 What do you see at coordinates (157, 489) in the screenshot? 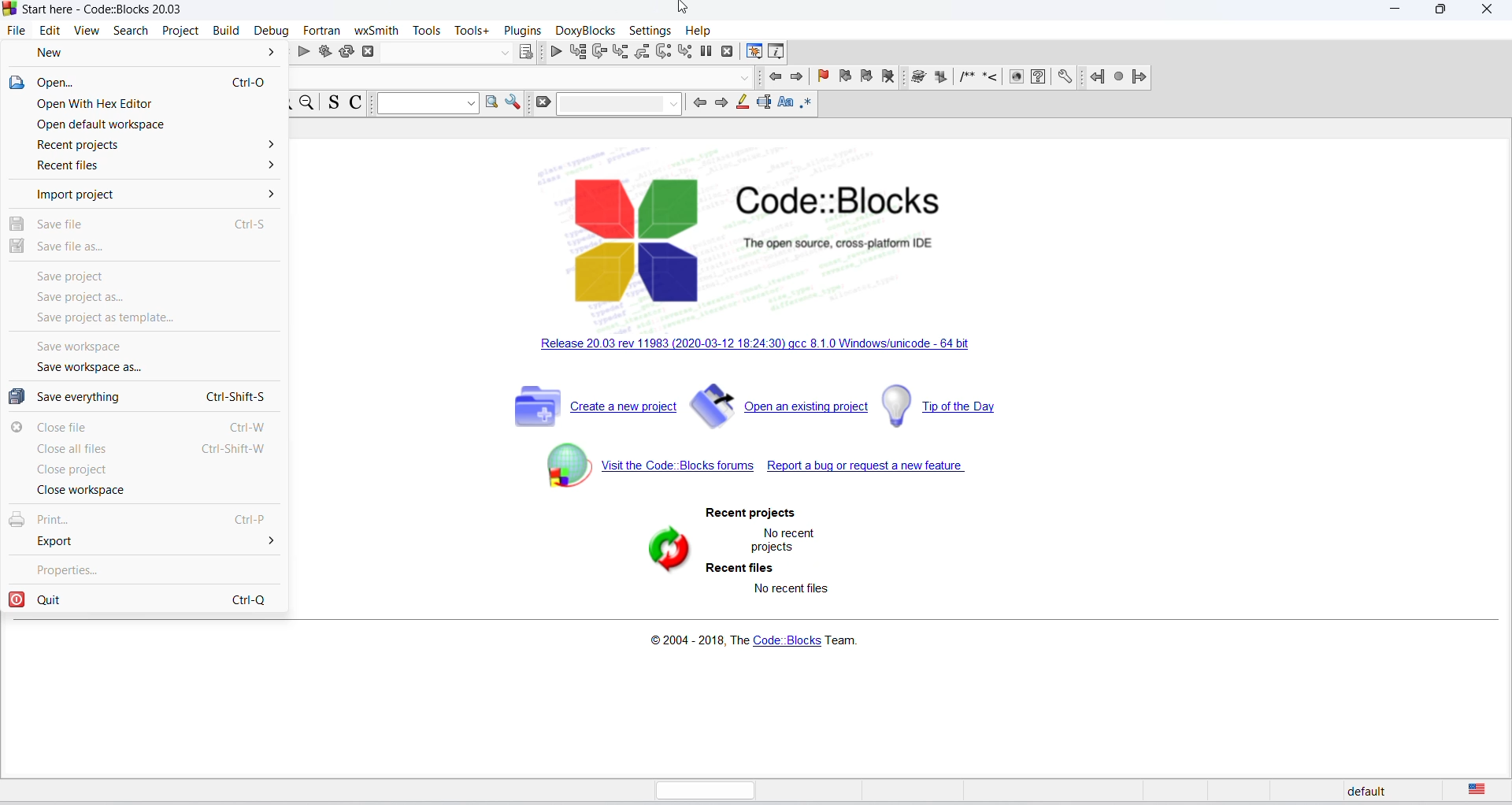
I see `close workspace` at bounding box center [157, 489].